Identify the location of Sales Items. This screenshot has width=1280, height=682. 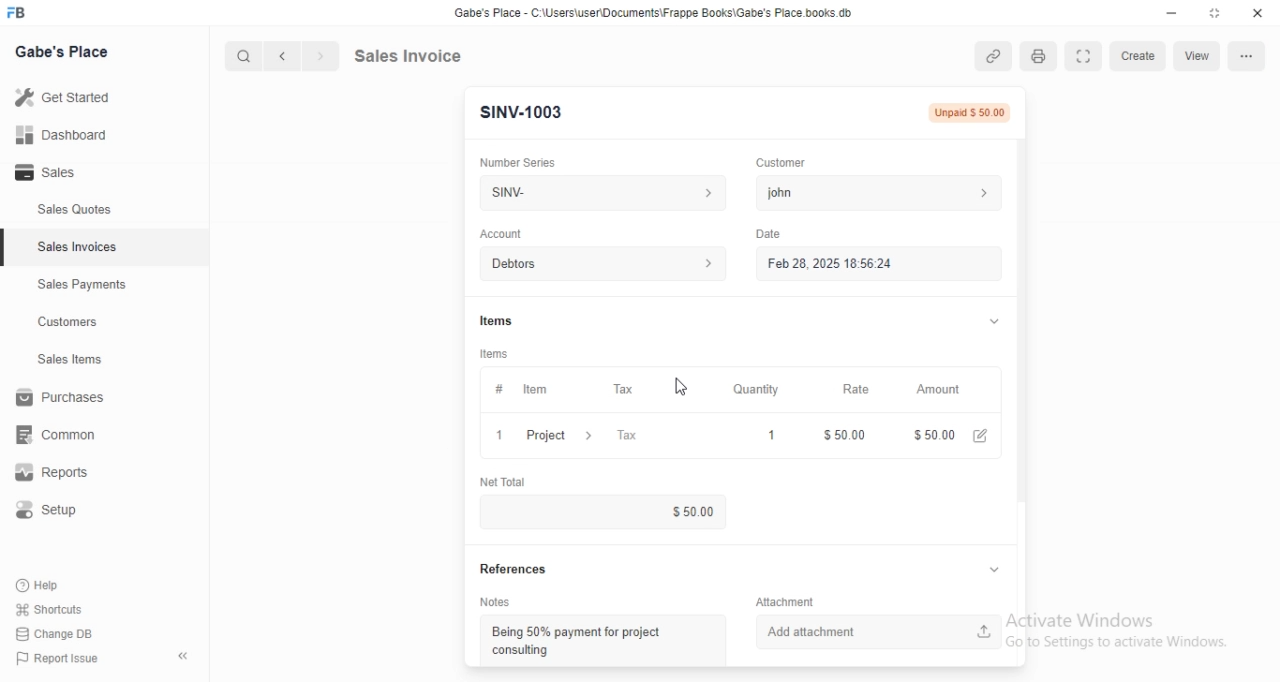
(61, 360).